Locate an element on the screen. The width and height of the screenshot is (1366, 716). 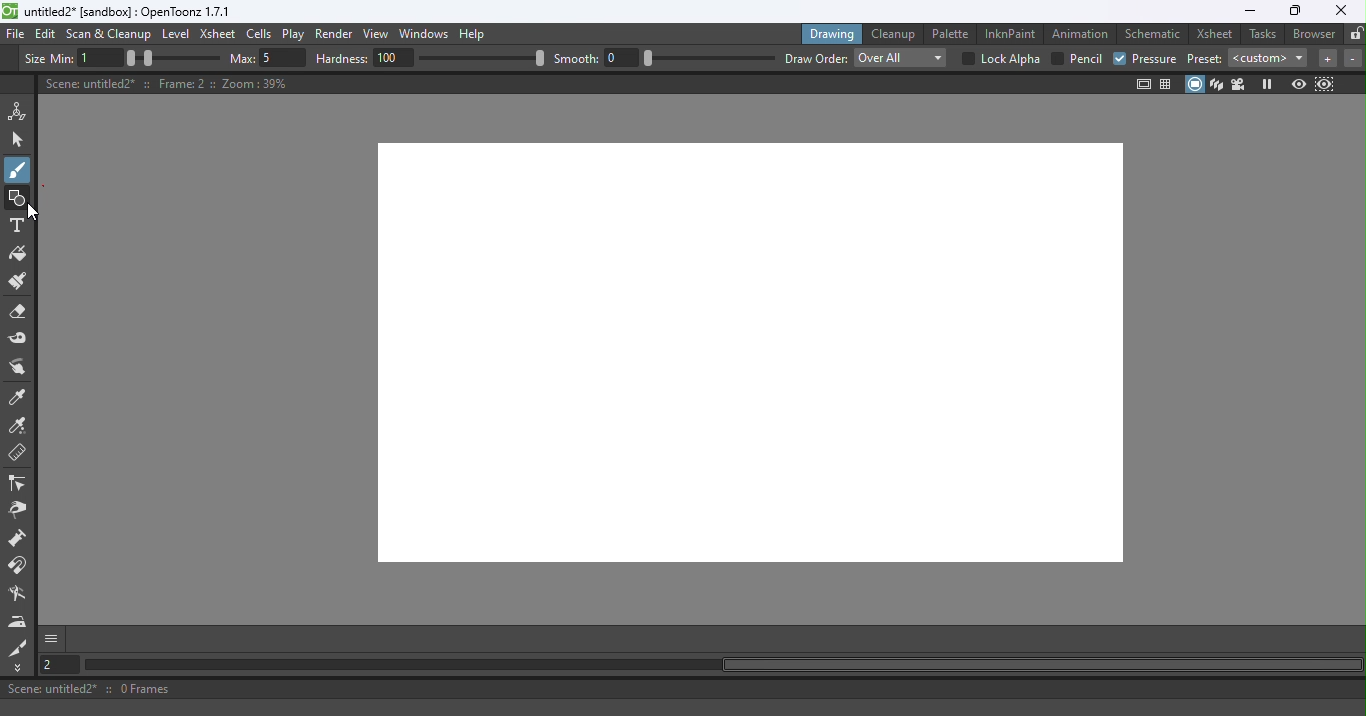
Camera view is located at coordinates (1241, 83).